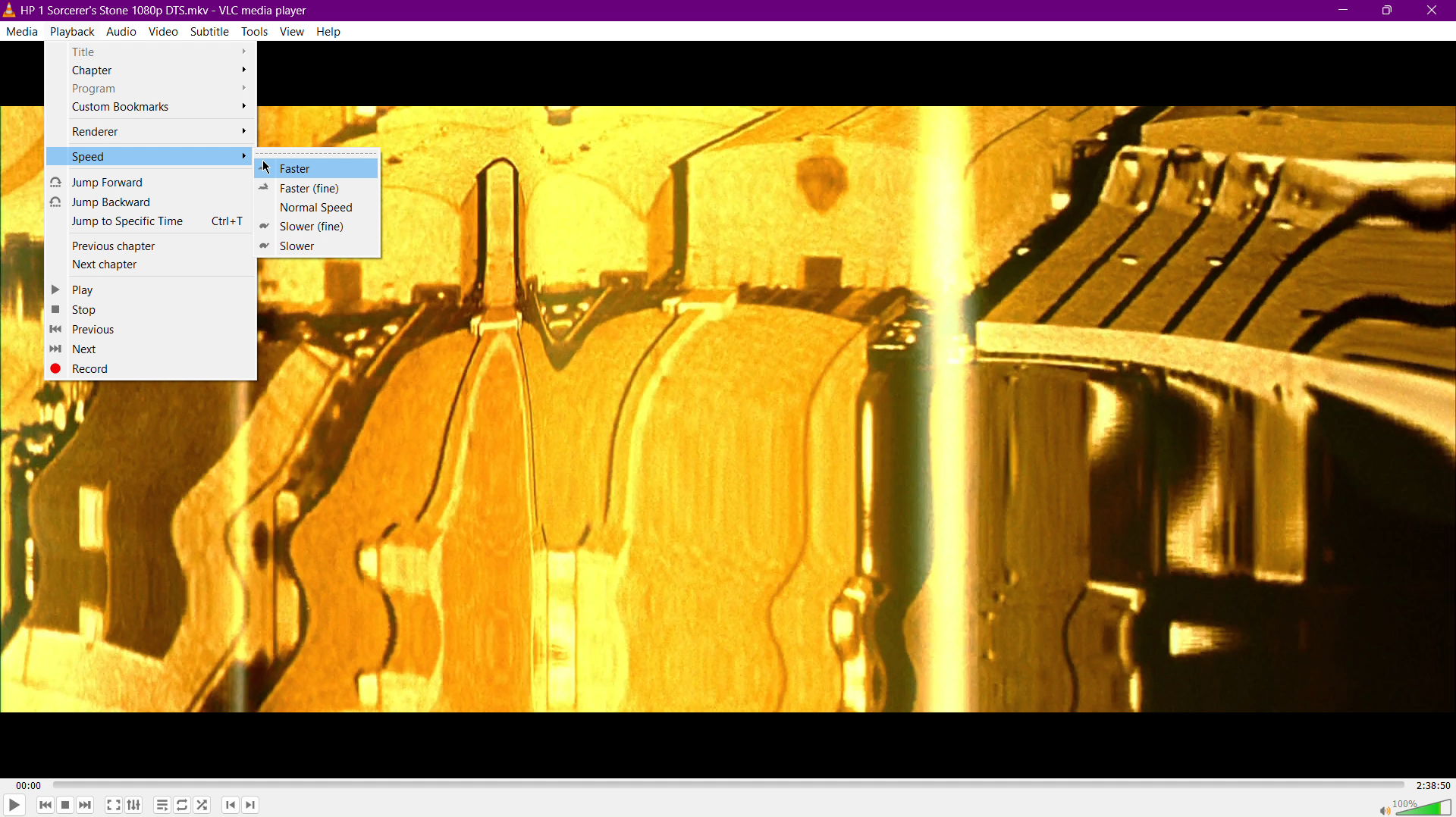  Describe the element at coordinates (293, 31) in the screenshot. I see `View` at that location.